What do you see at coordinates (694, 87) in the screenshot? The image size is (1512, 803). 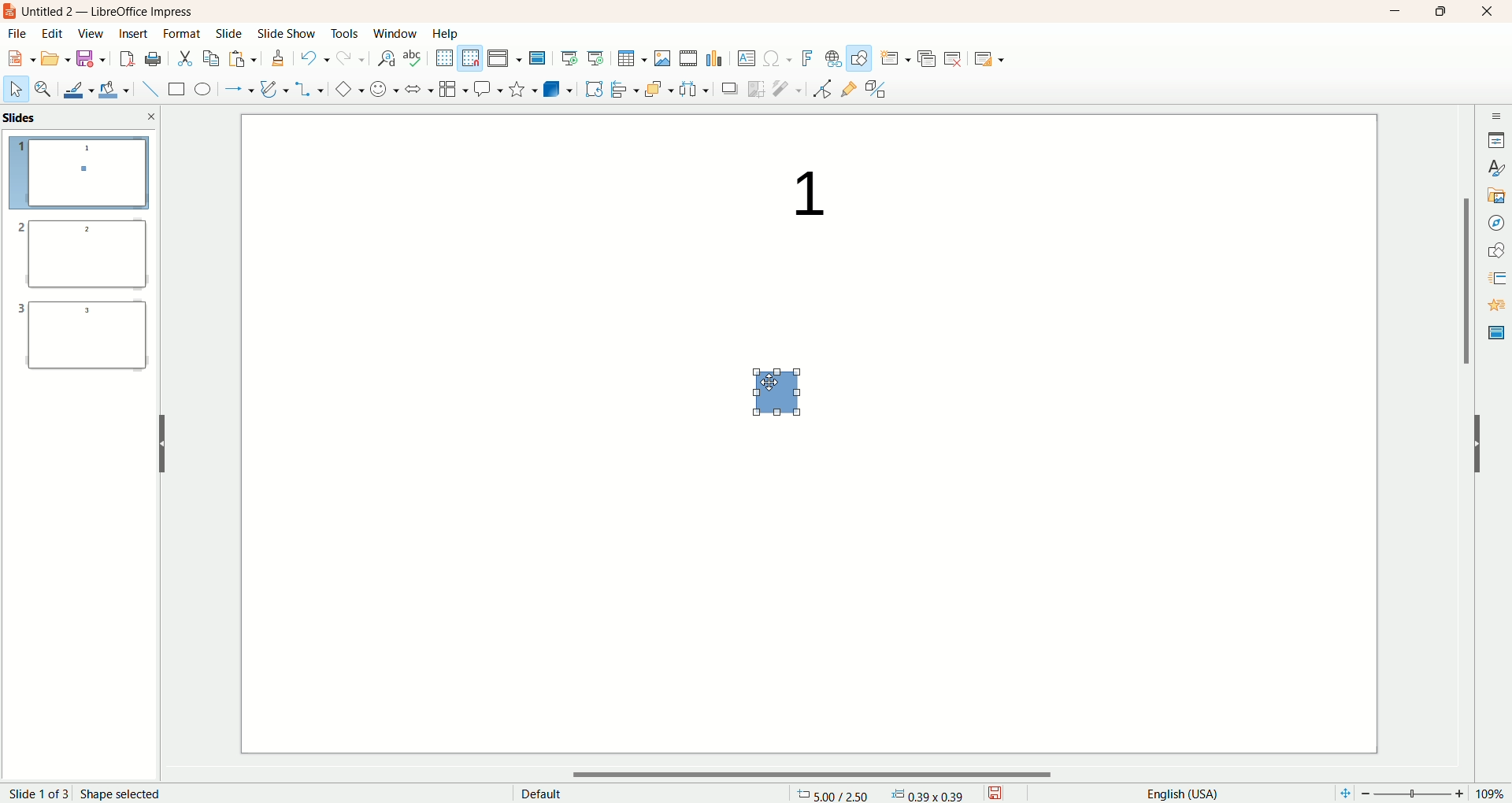 I see `select at least three objects to distribute` at bounding box center [694, 87].